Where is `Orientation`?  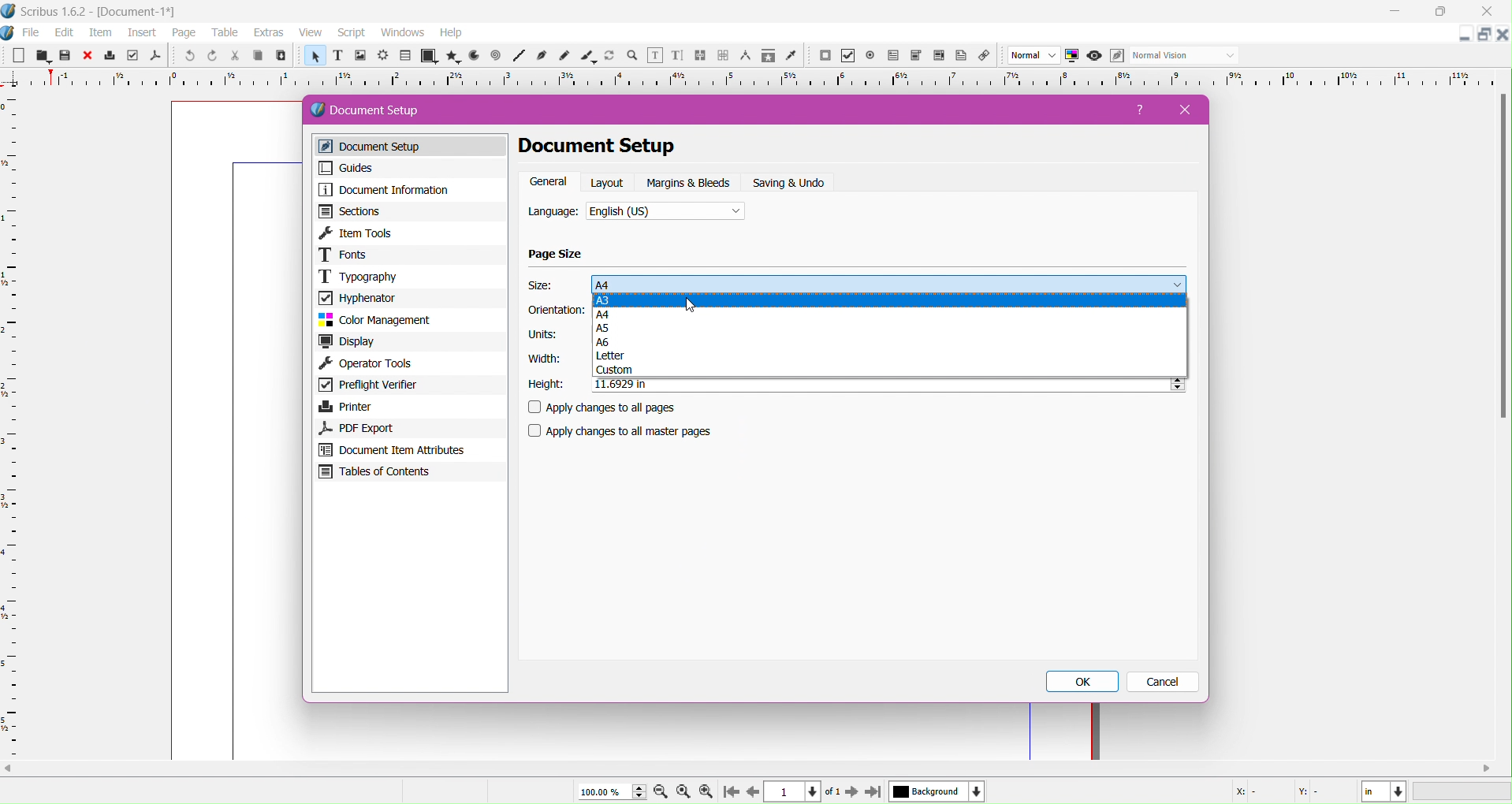 Orientation is located at coordinates (557, 311).